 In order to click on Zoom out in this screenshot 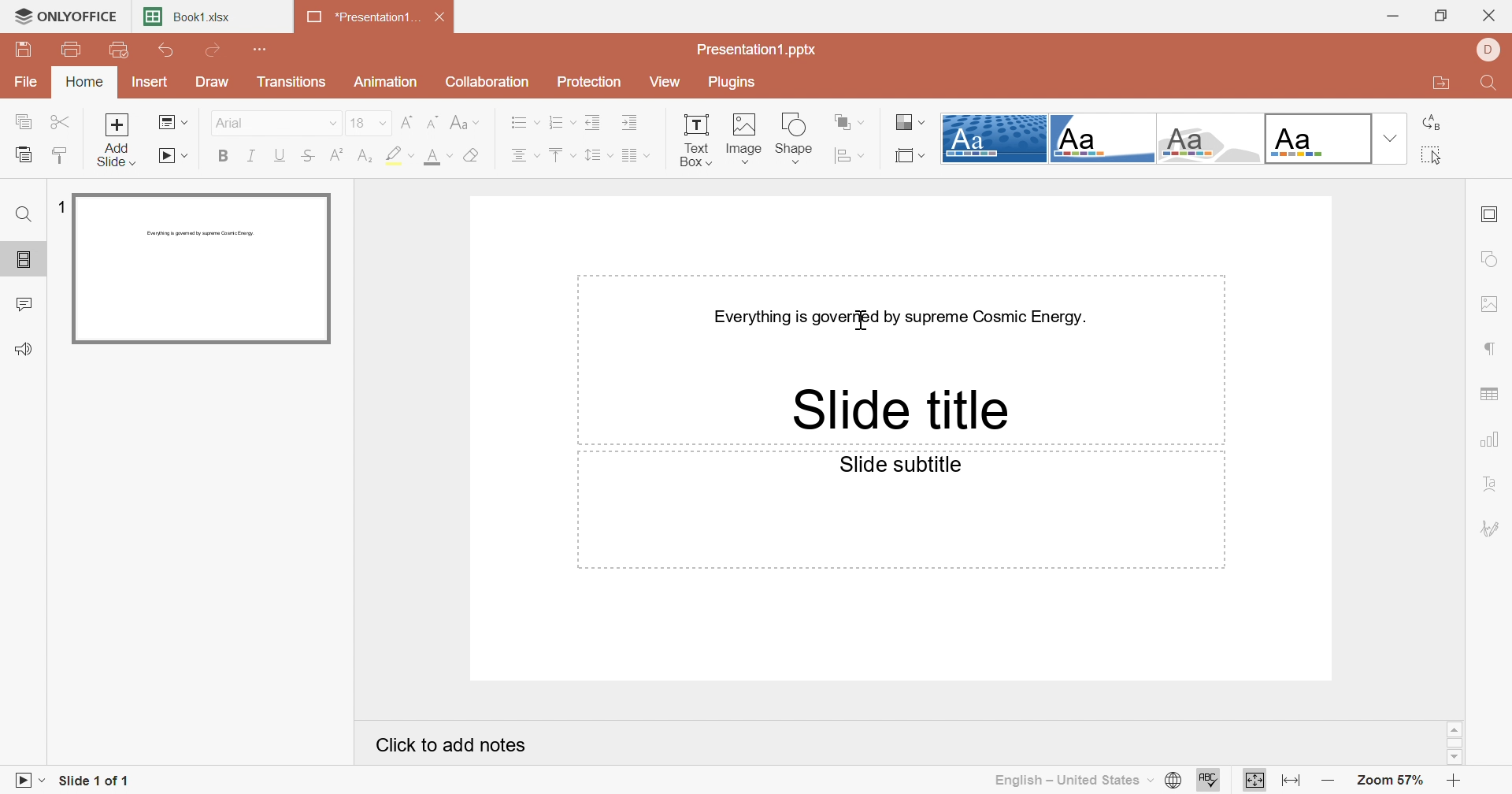, I will do `click(1328, 779)`.